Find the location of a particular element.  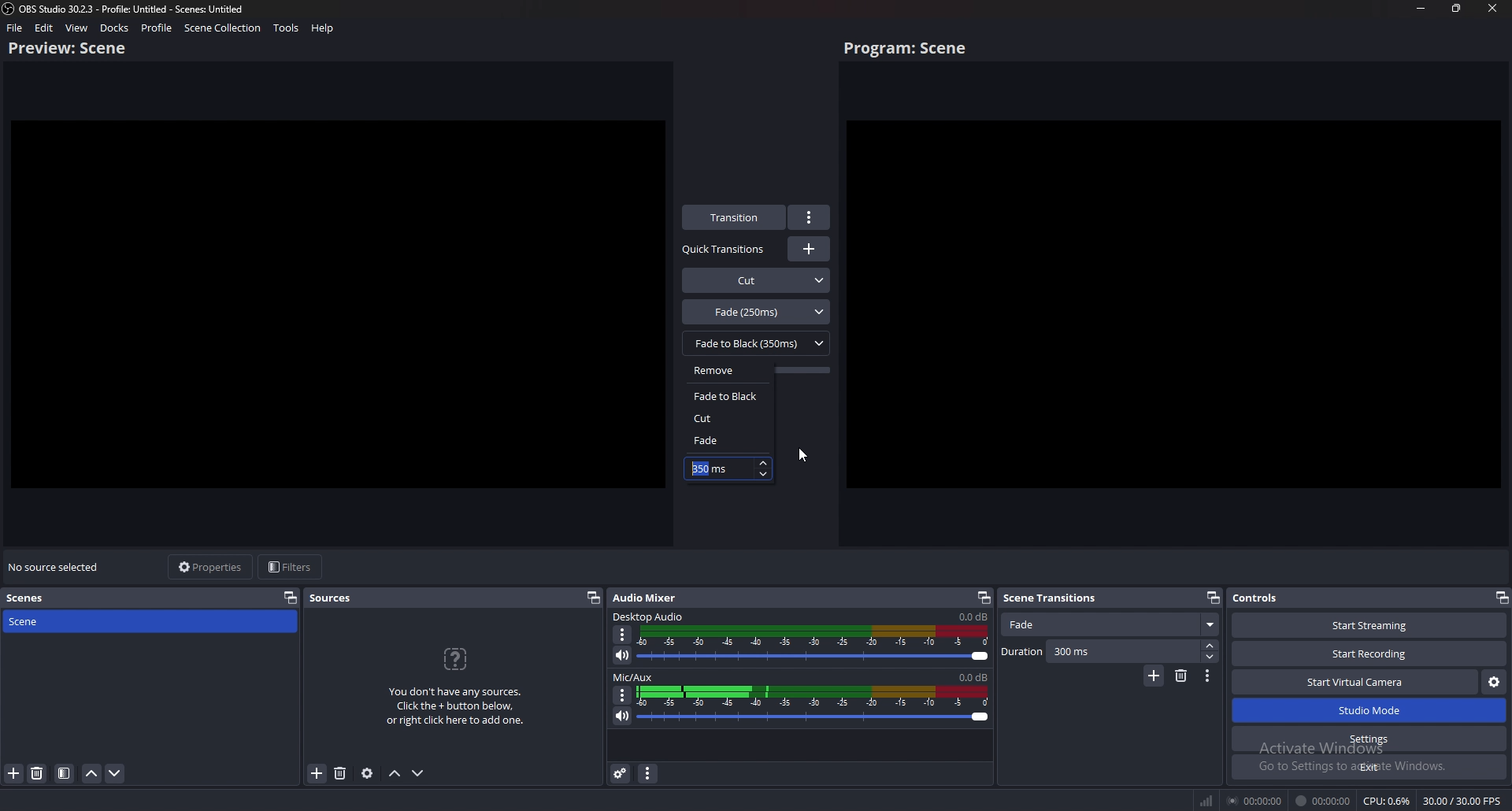

Start streaming is located at coordinates (1366, 624).